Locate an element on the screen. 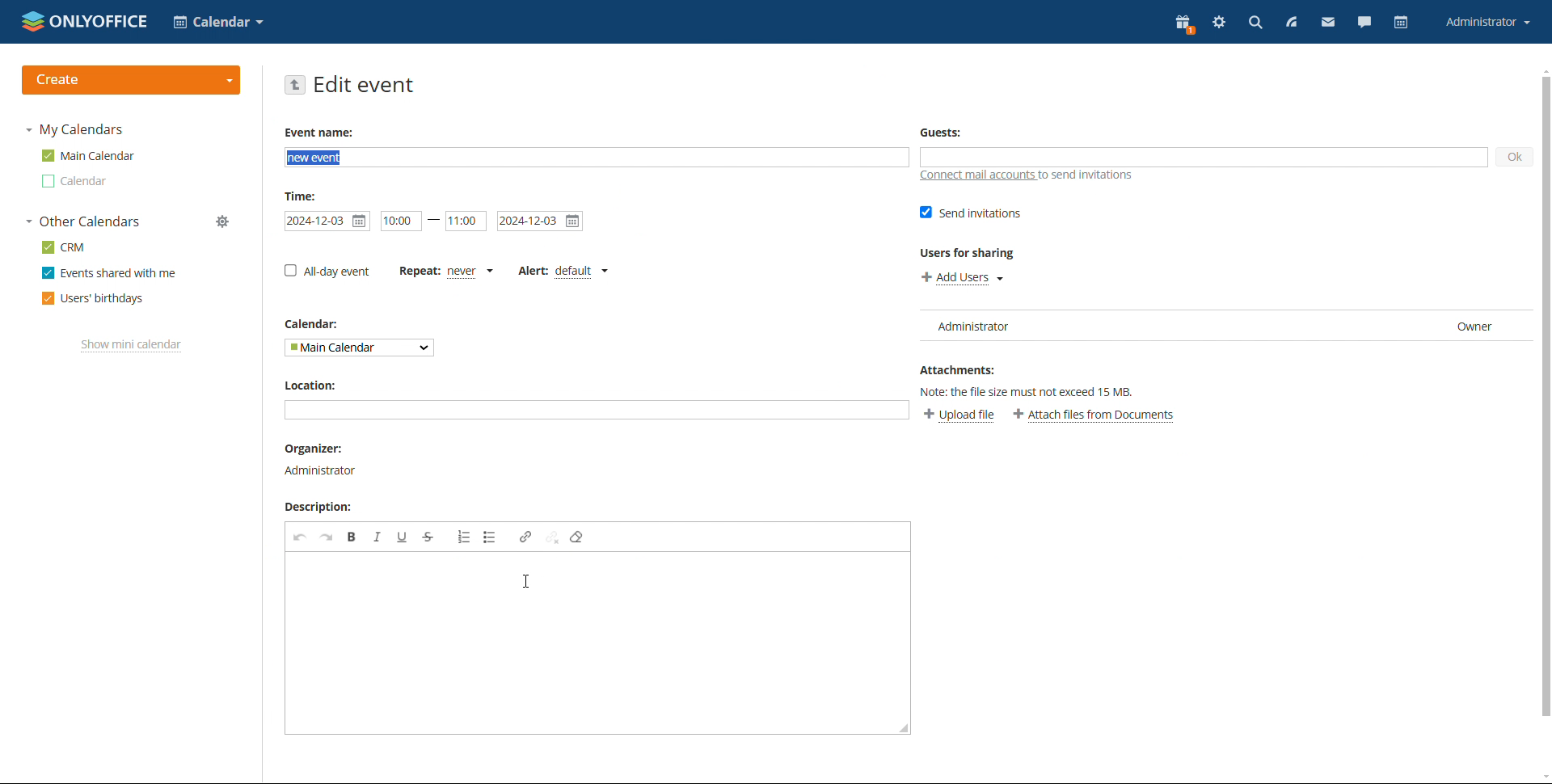 The image size is (1552, 784). add location is located at coordinates (596, 410).